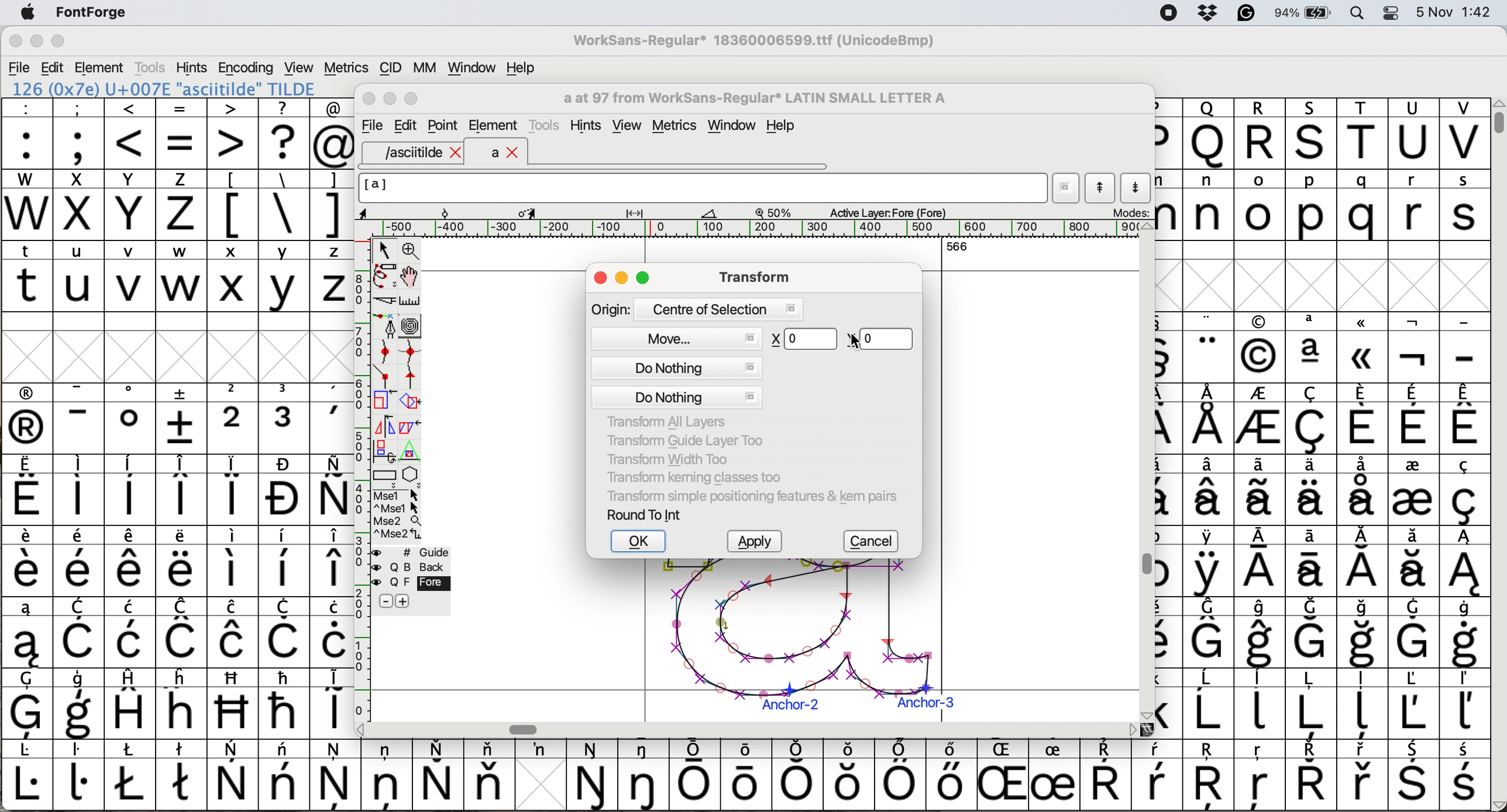  Describe the element at coordinates (79, 774) in the screenshot. I see `symbol` at that location.